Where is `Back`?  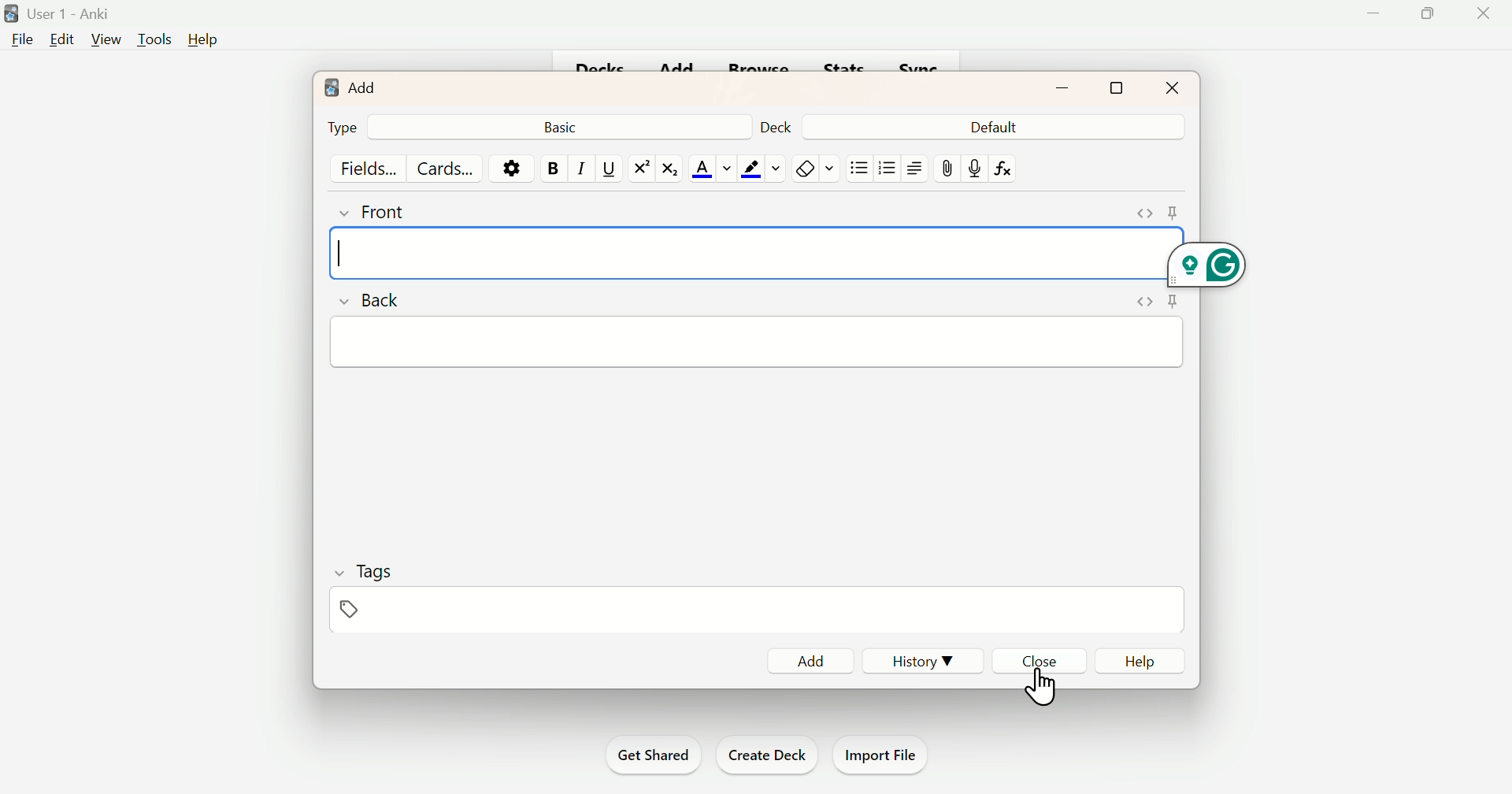
Back is located at coordinates (376, 304).